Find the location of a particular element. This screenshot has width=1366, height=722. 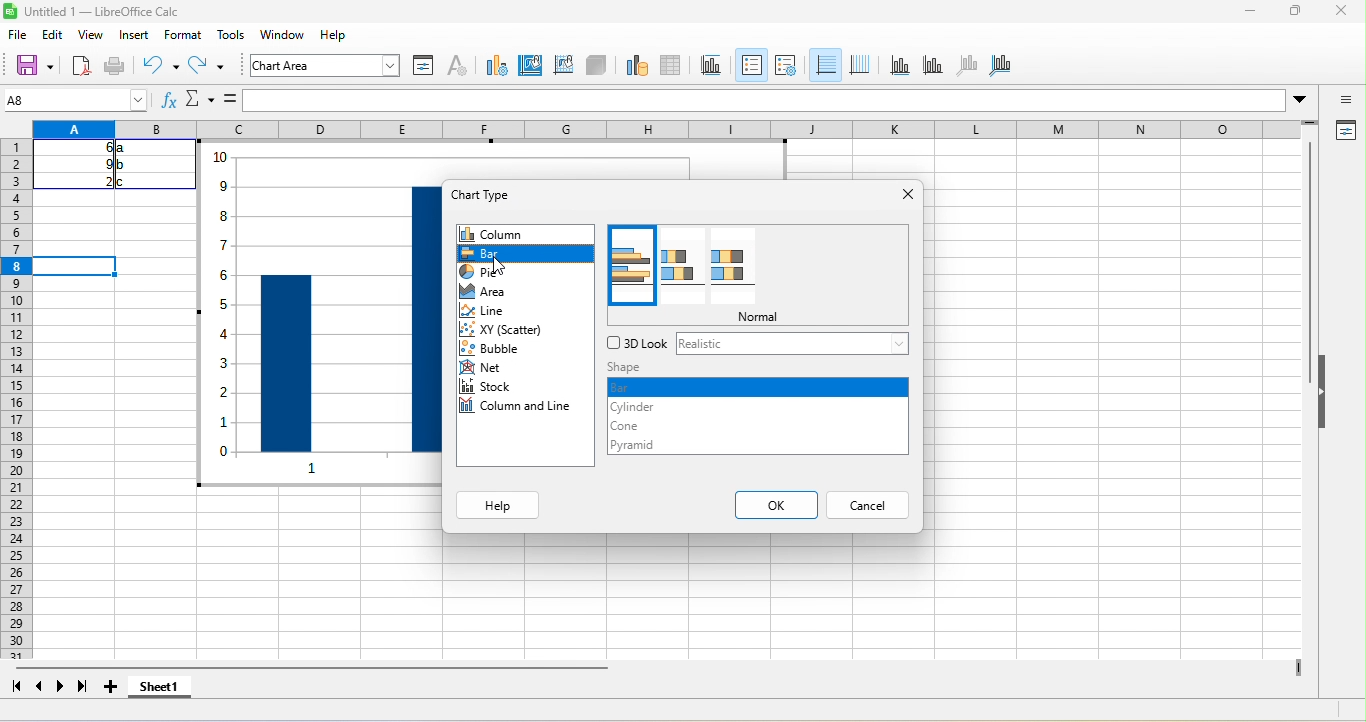

save is located at coordinates (116, 64).